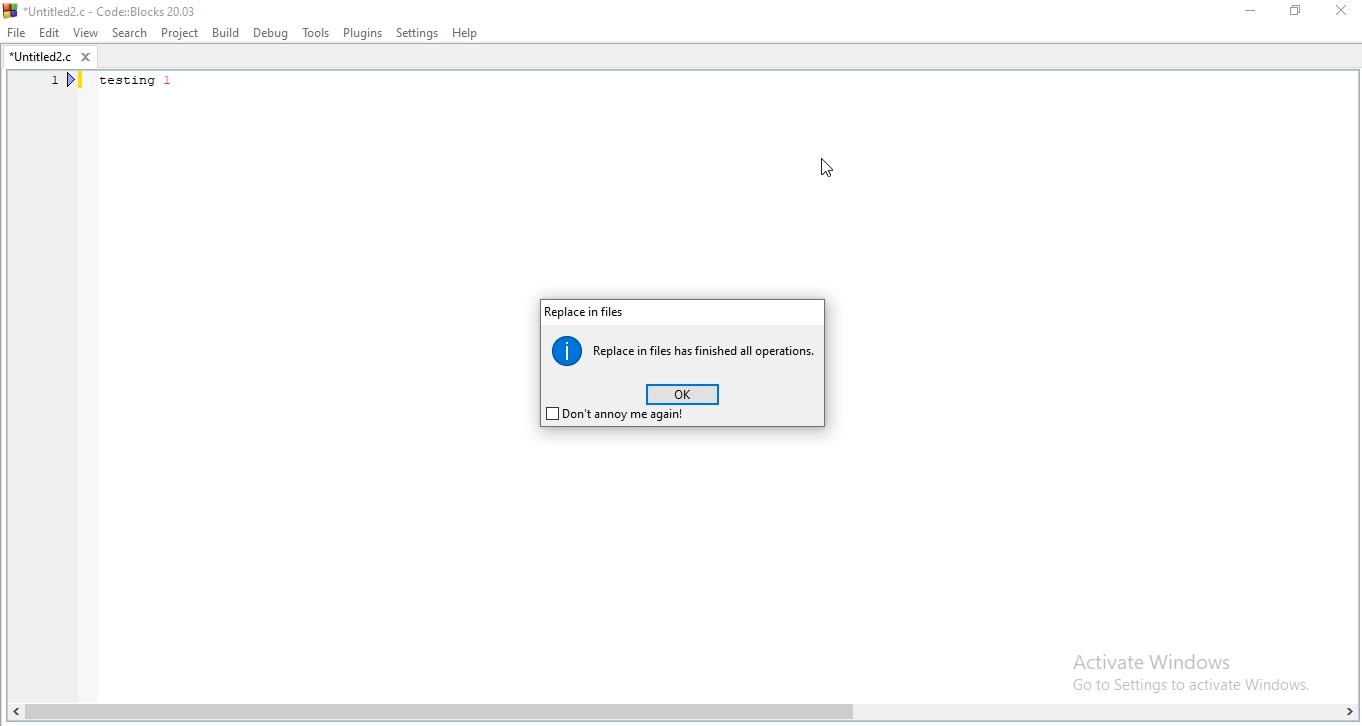 This screenshot has height=726, width=1362. Describe the element at coordinates (1178, 669) in the screenshot. I see `Activate Windows. Go to settings to activate windows` at that location.